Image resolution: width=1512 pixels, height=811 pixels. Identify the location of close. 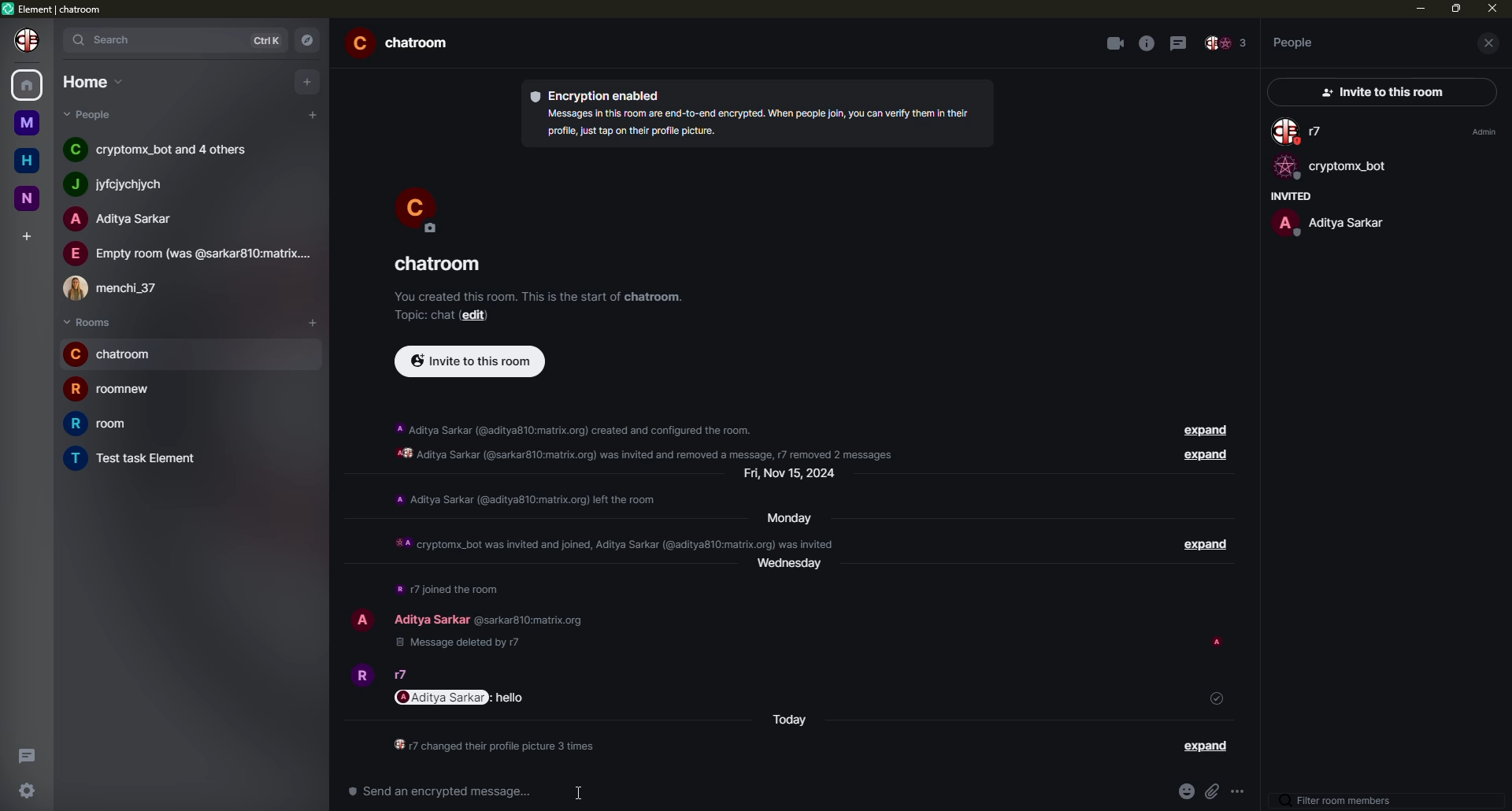
(1490, 43).